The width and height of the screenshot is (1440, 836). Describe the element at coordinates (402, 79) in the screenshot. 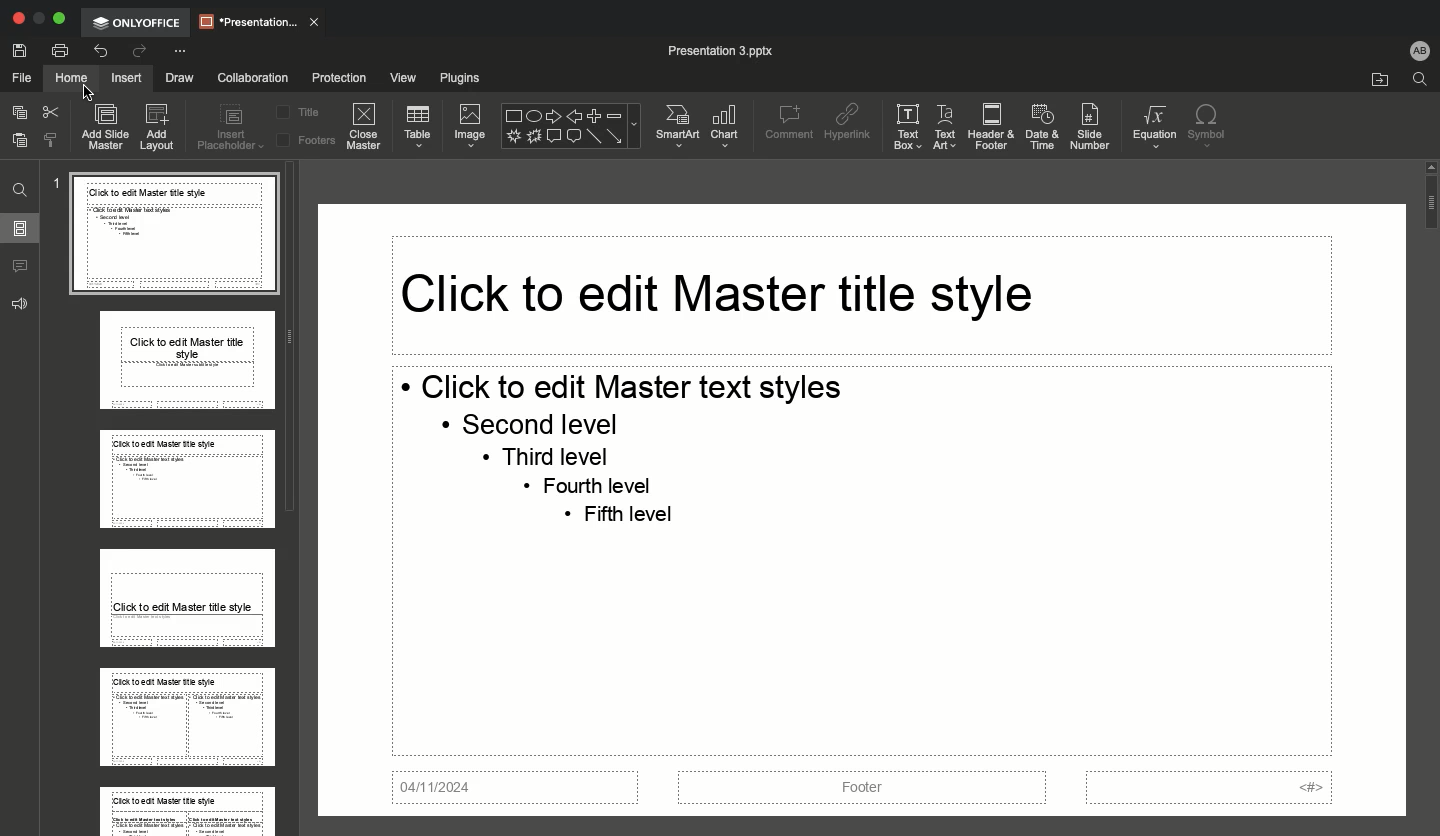

I see `View` at that location.